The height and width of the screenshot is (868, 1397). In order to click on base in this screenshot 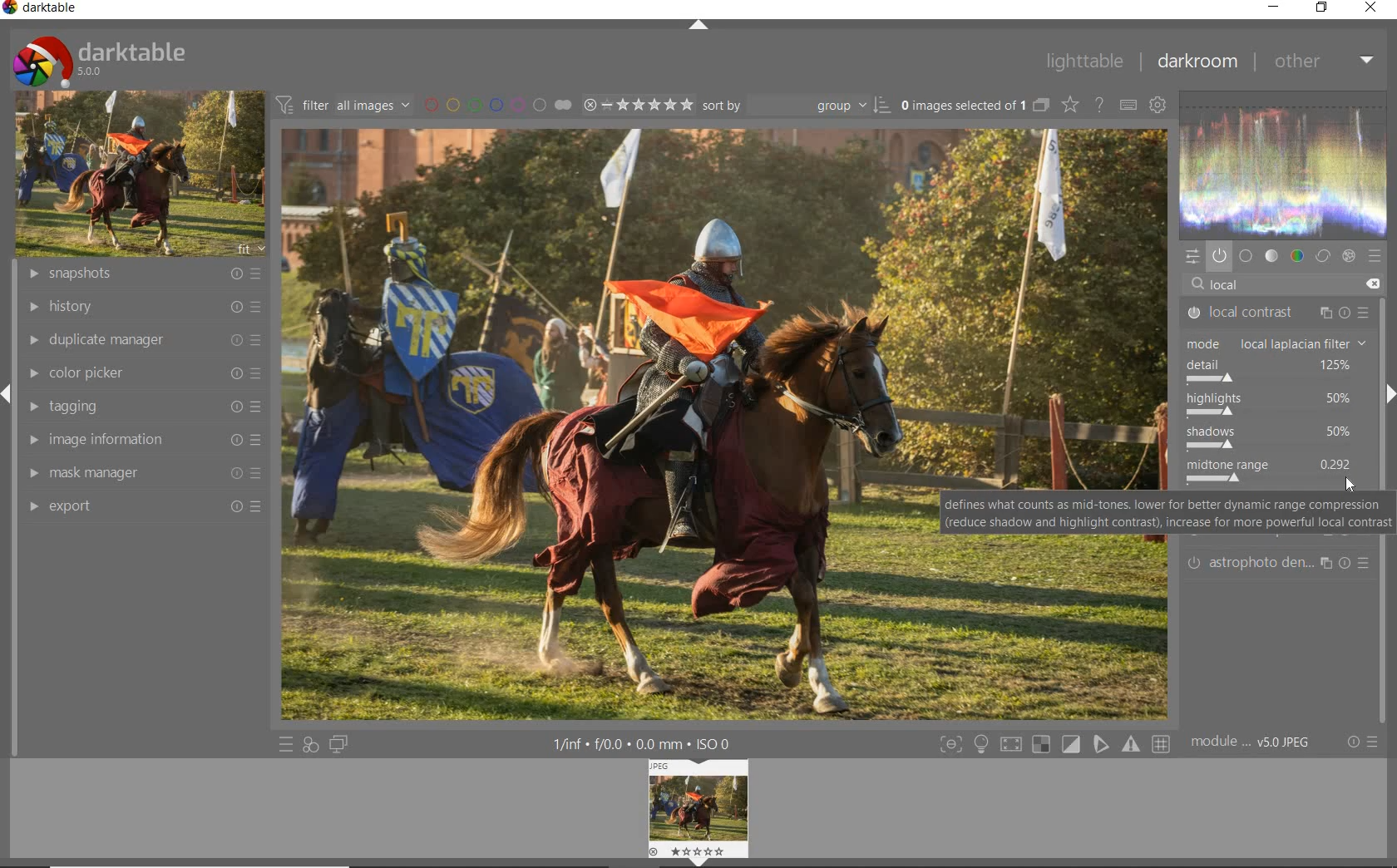, I will do `click(1246, 255)`.